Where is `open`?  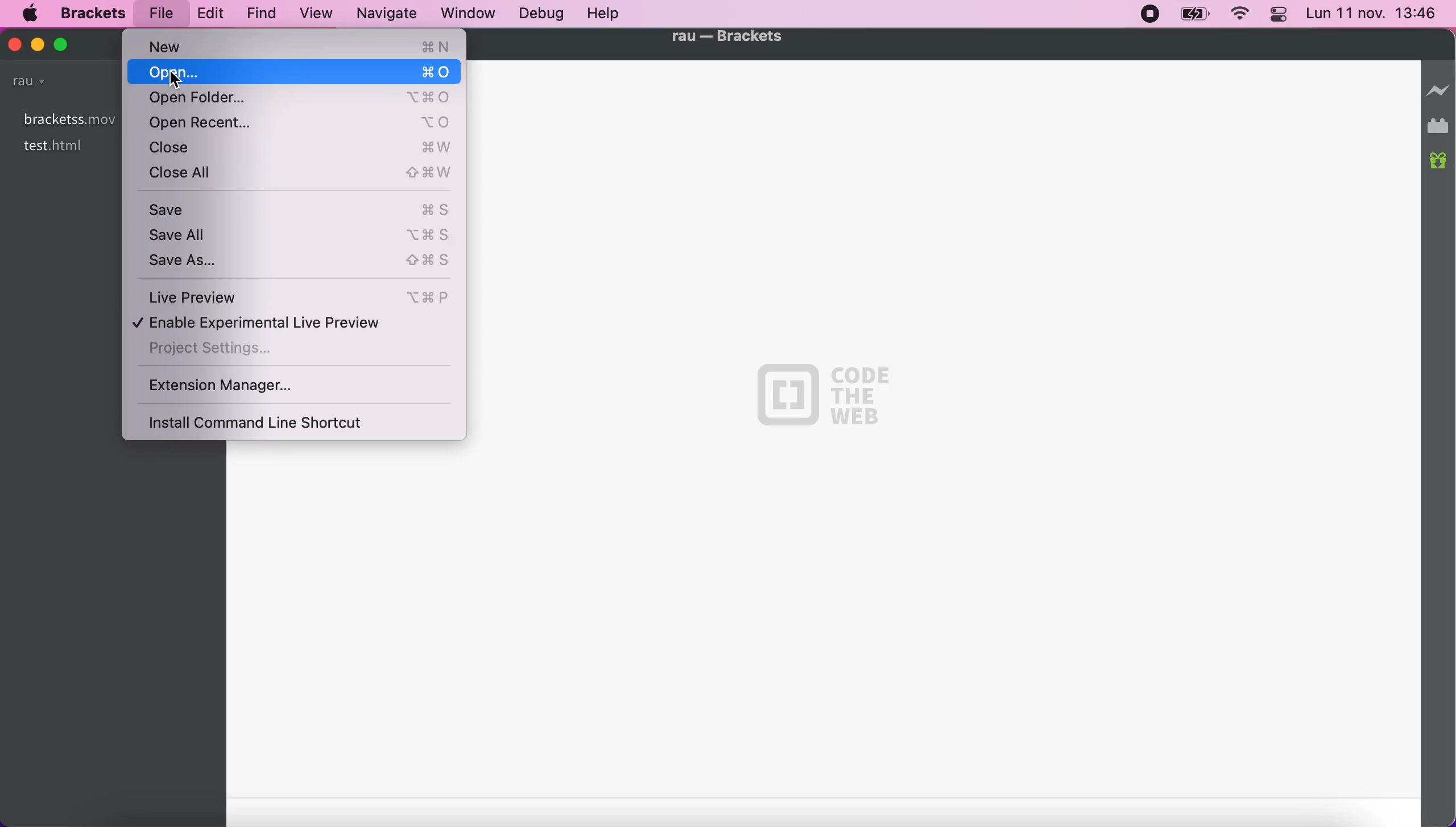
open is located at coordinates (320, 73).